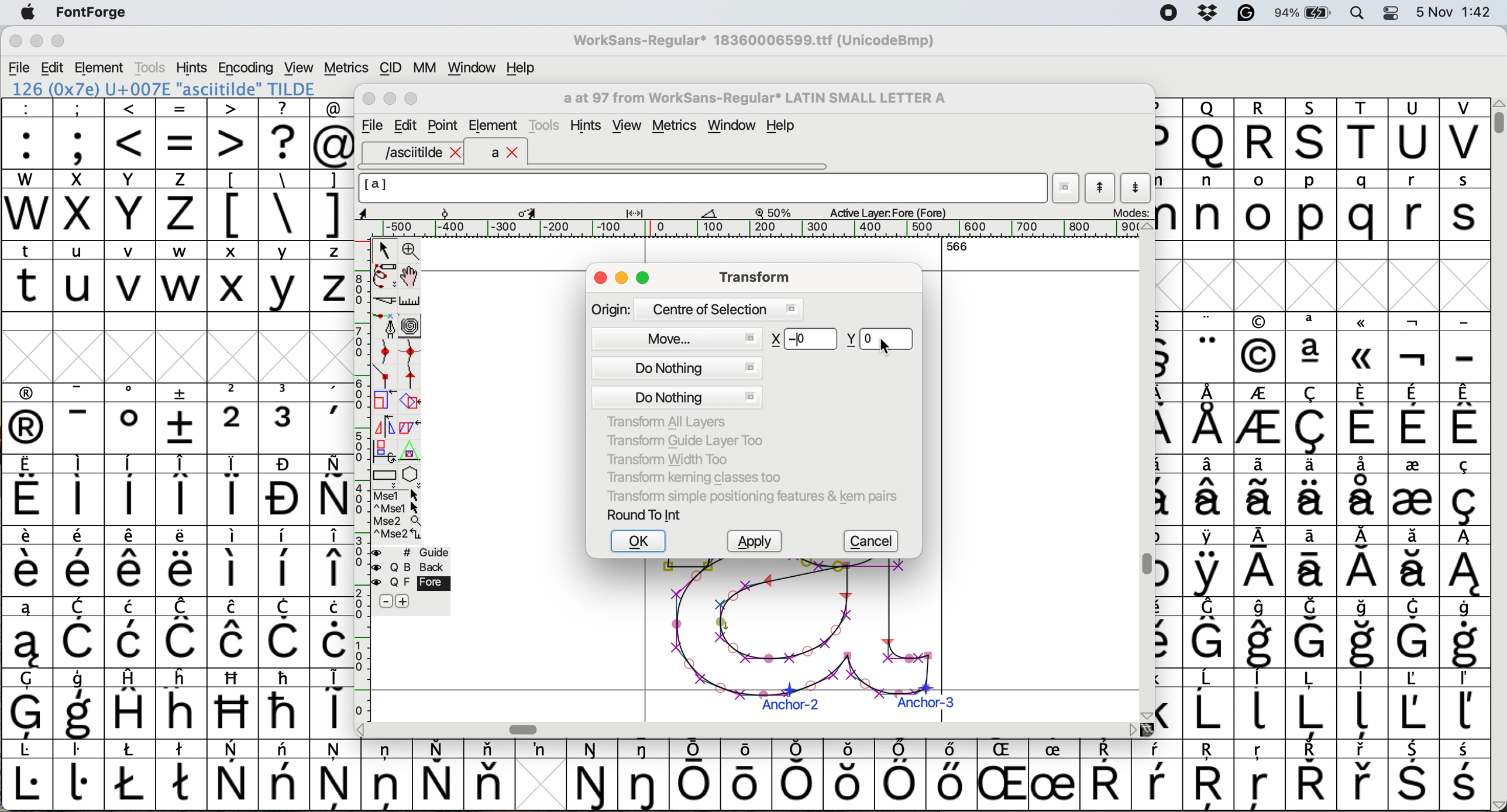 Image resolution: width=1507 pixels, height=812 pixels. Describe the element at coordinates (1413, 419) in the screenshot. I see `symbol` at that location.